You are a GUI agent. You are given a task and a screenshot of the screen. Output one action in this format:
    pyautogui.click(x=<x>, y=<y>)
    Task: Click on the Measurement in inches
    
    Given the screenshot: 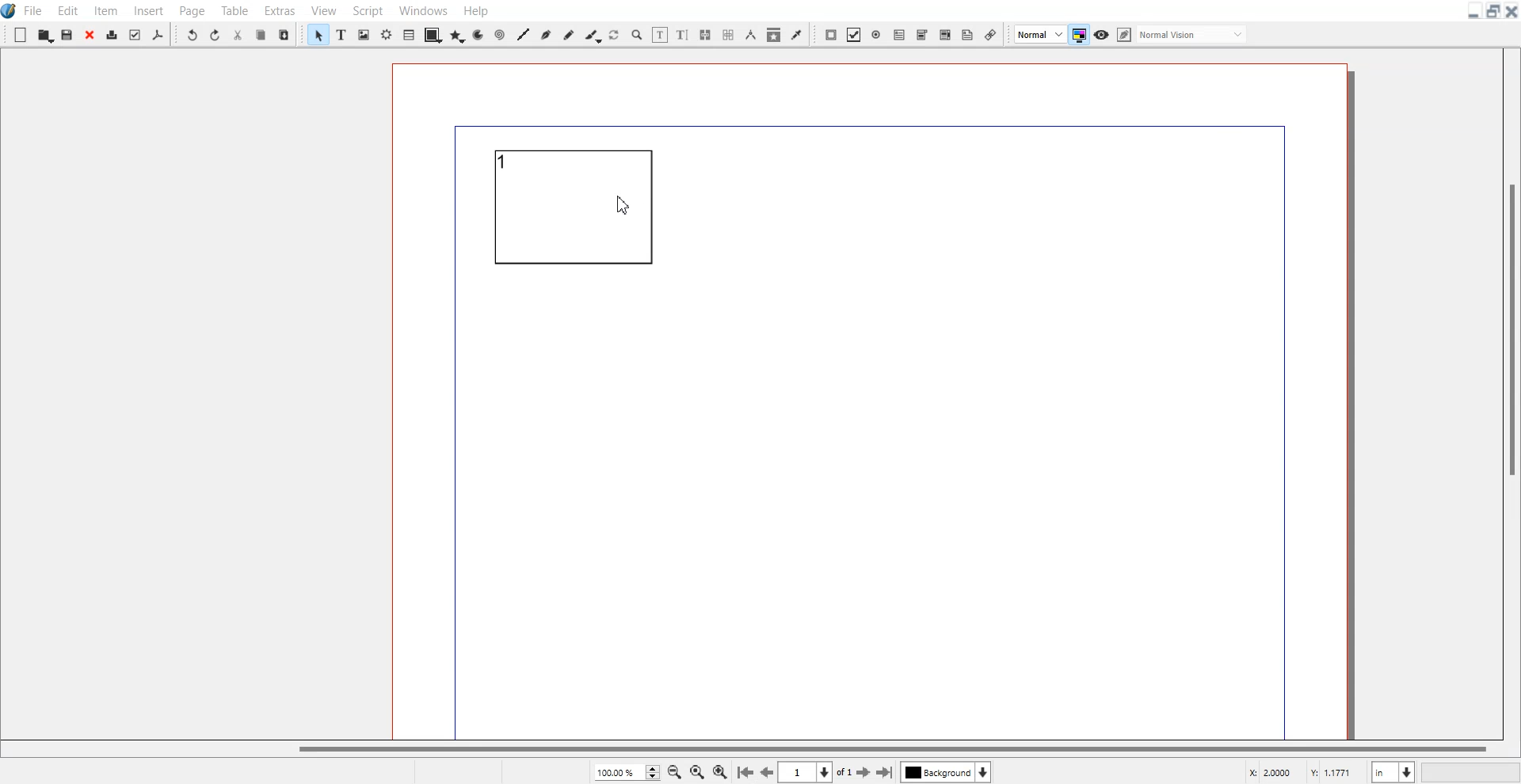 What is the action you would take?
    pyautogui.click(x=1393, y=771)
    